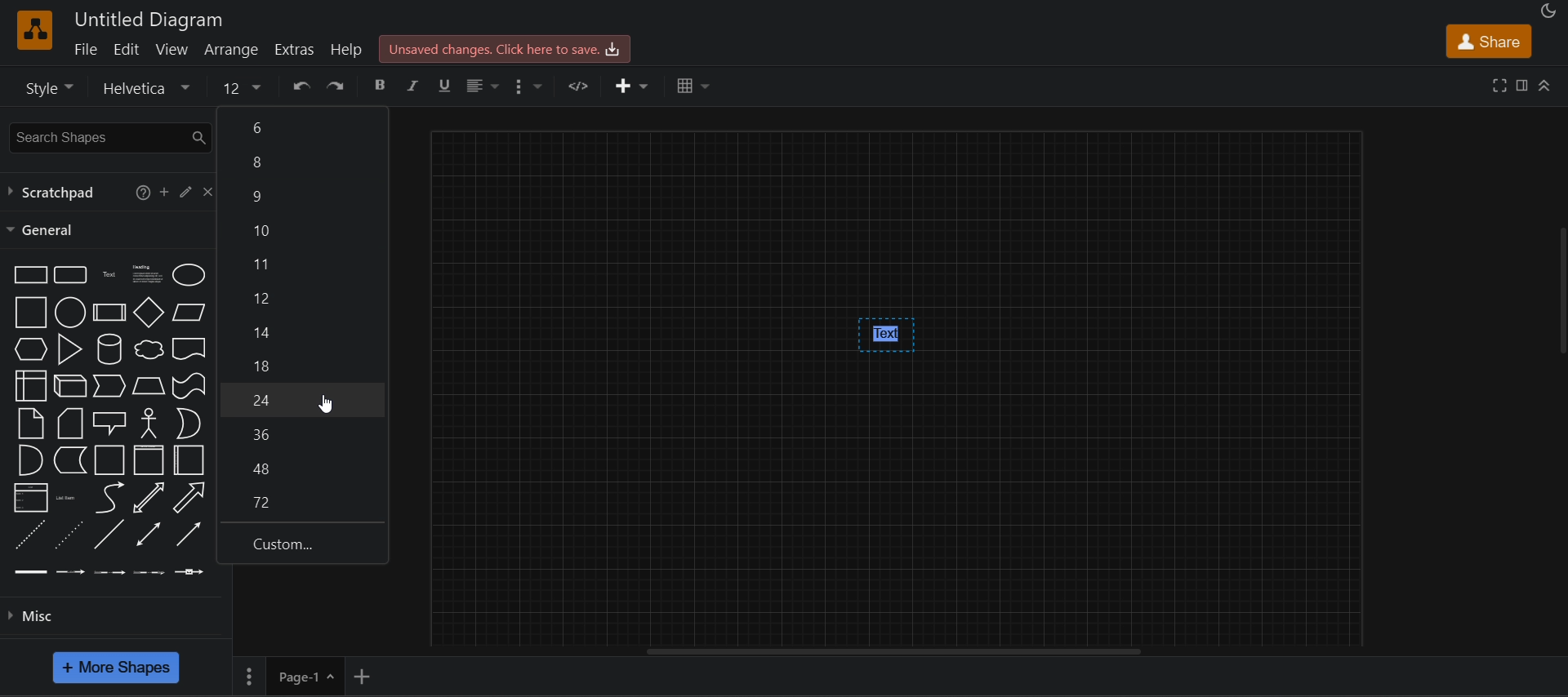  I want to click on Or, so click(189, 424).